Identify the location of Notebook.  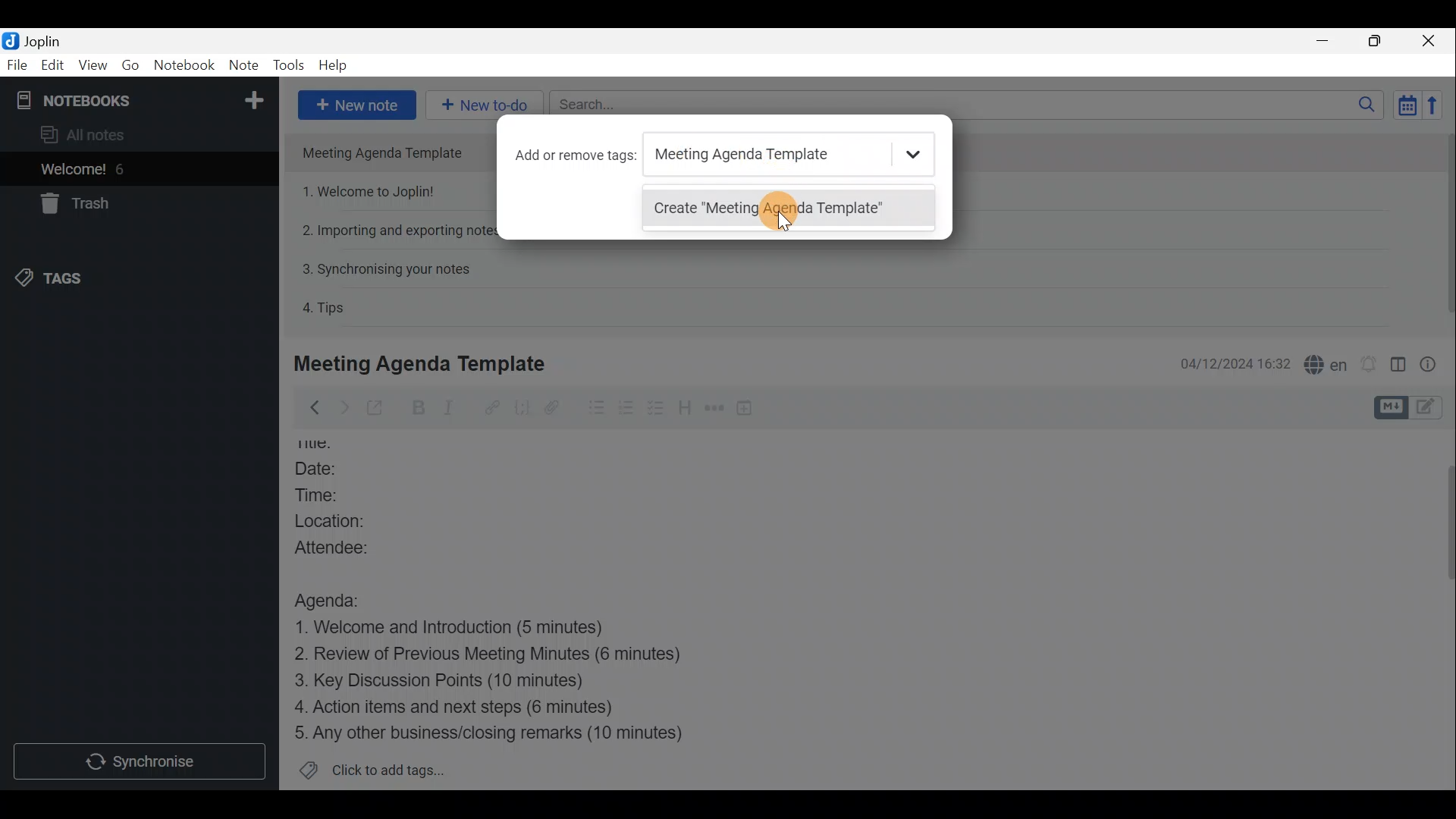
(183, 64).